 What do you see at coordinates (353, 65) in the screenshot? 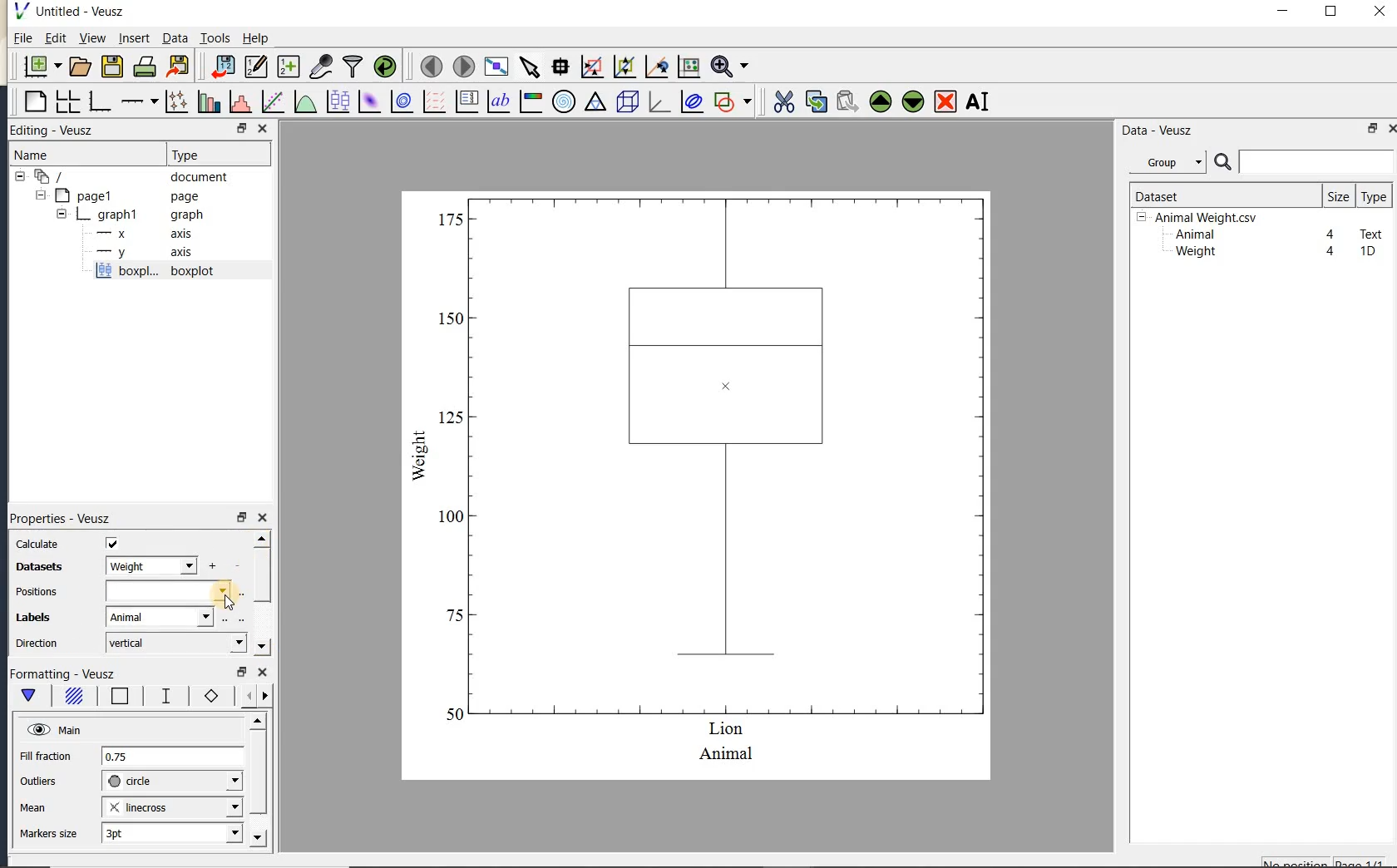
I see `filter data` at bounding box center [353, 65].